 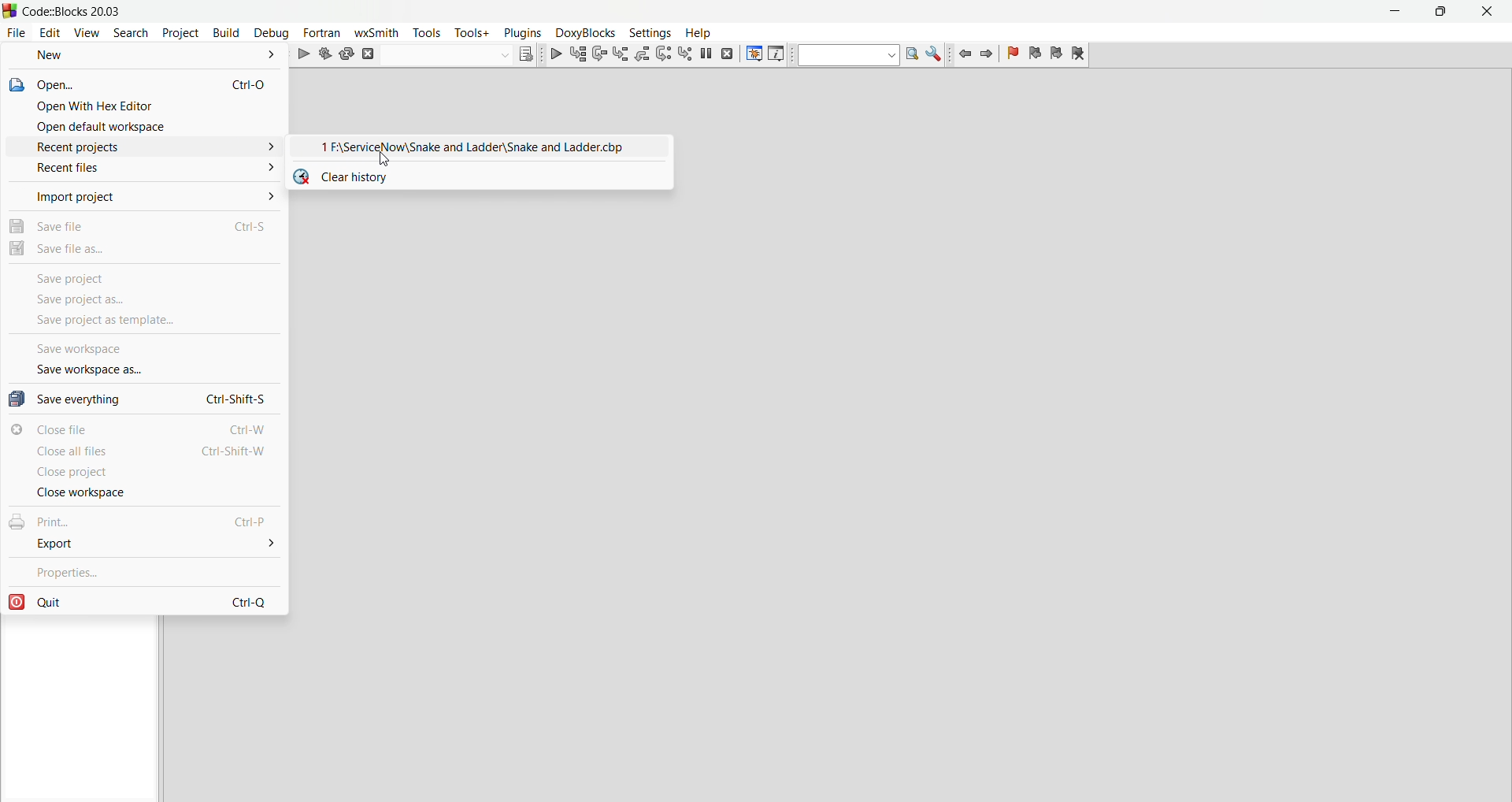 What do you see at coordinates (145, 58) in the screenshot?
I see `new` at bounding box center [145, 58].